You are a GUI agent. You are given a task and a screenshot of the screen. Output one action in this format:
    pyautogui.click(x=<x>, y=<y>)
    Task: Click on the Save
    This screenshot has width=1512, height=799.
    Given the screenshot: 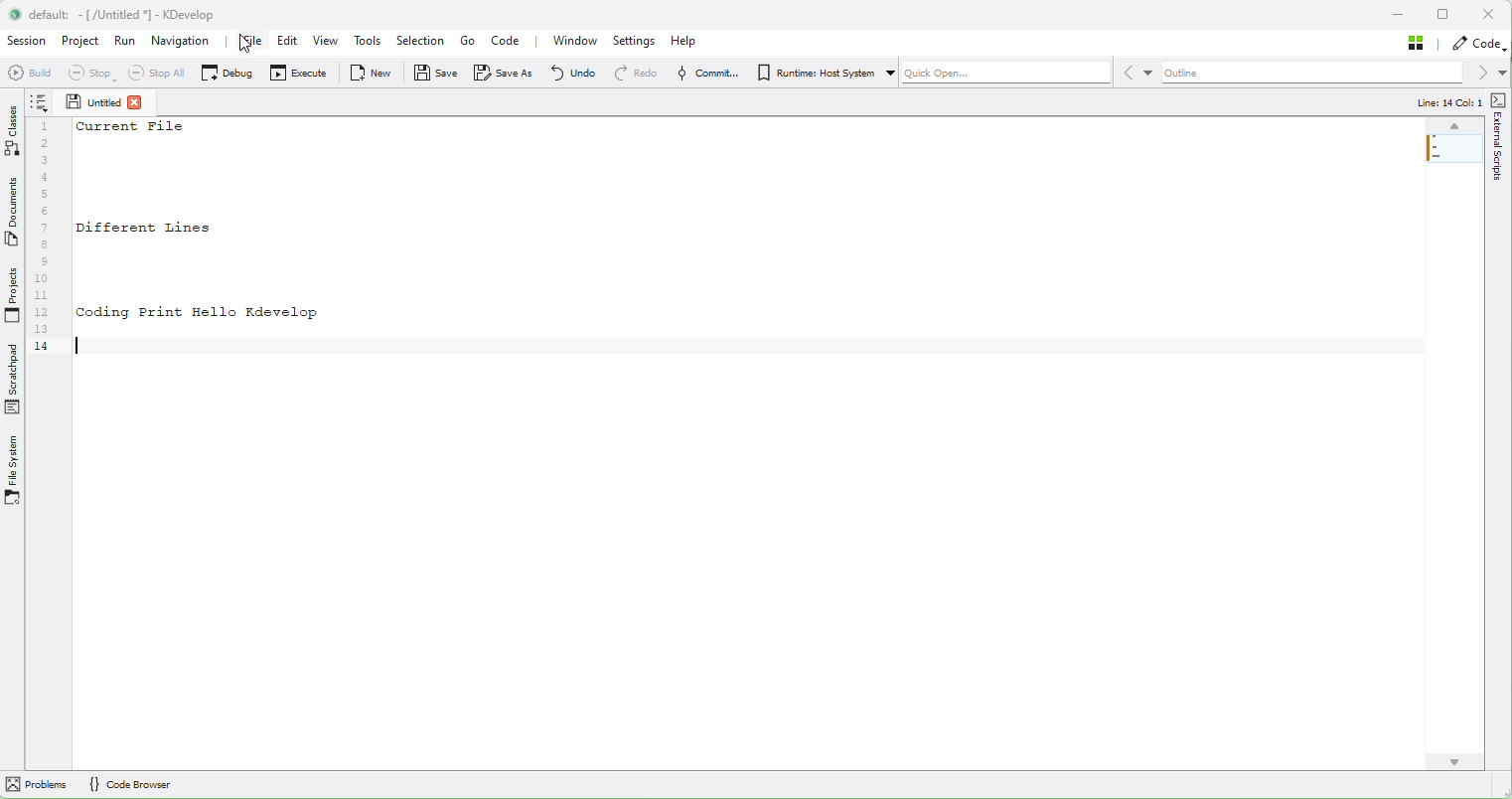 What is the action you would take?
    pyautogui.click(x=432, y=74)
    